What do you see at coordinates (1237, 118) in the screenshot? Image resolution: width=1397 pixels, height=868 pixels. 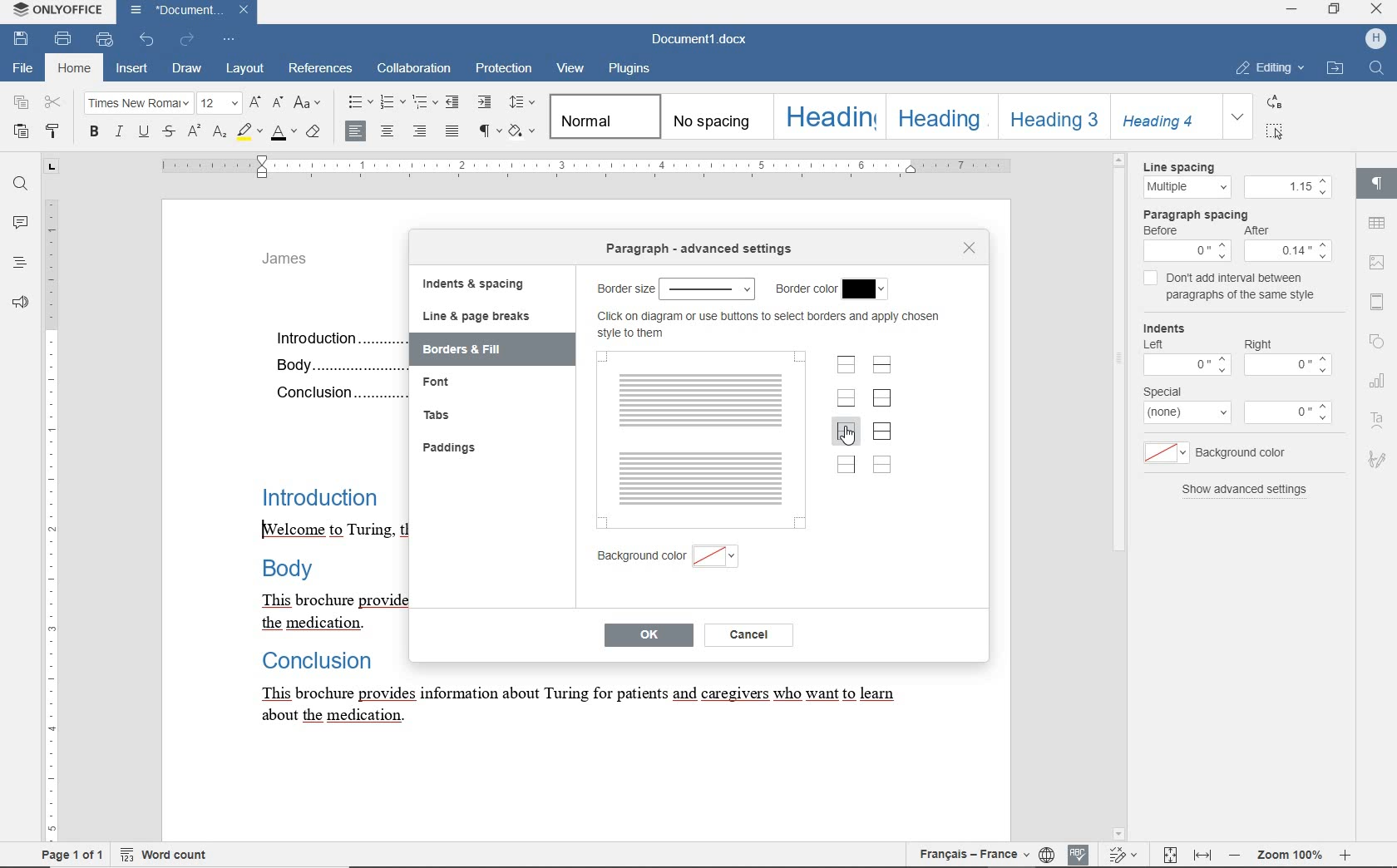 I see `expand` at bounding box center [1237, 118].